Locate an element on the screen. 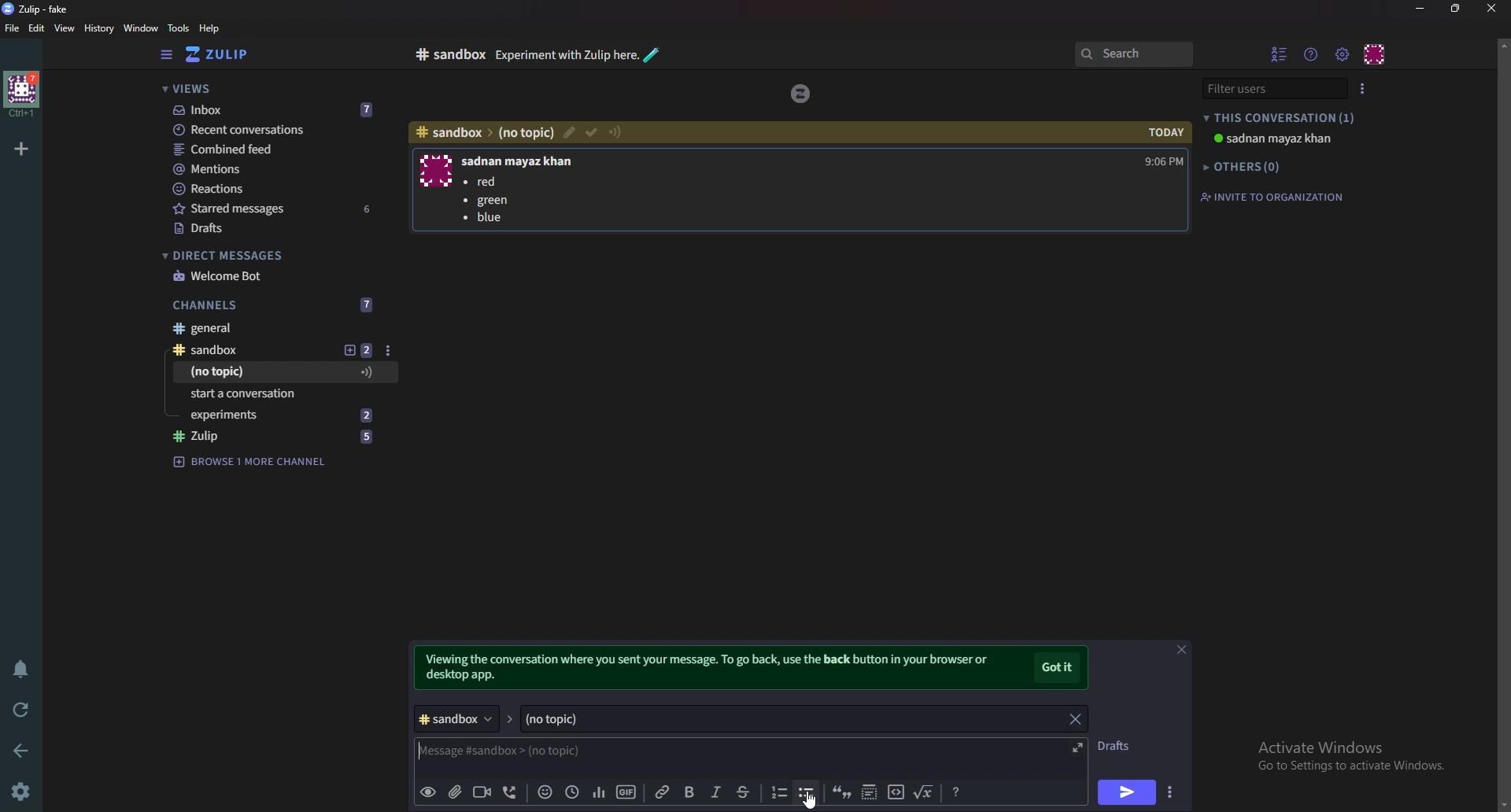 This screenshot has height=812, width=1511. channel options is located at coordinates (388, 349).